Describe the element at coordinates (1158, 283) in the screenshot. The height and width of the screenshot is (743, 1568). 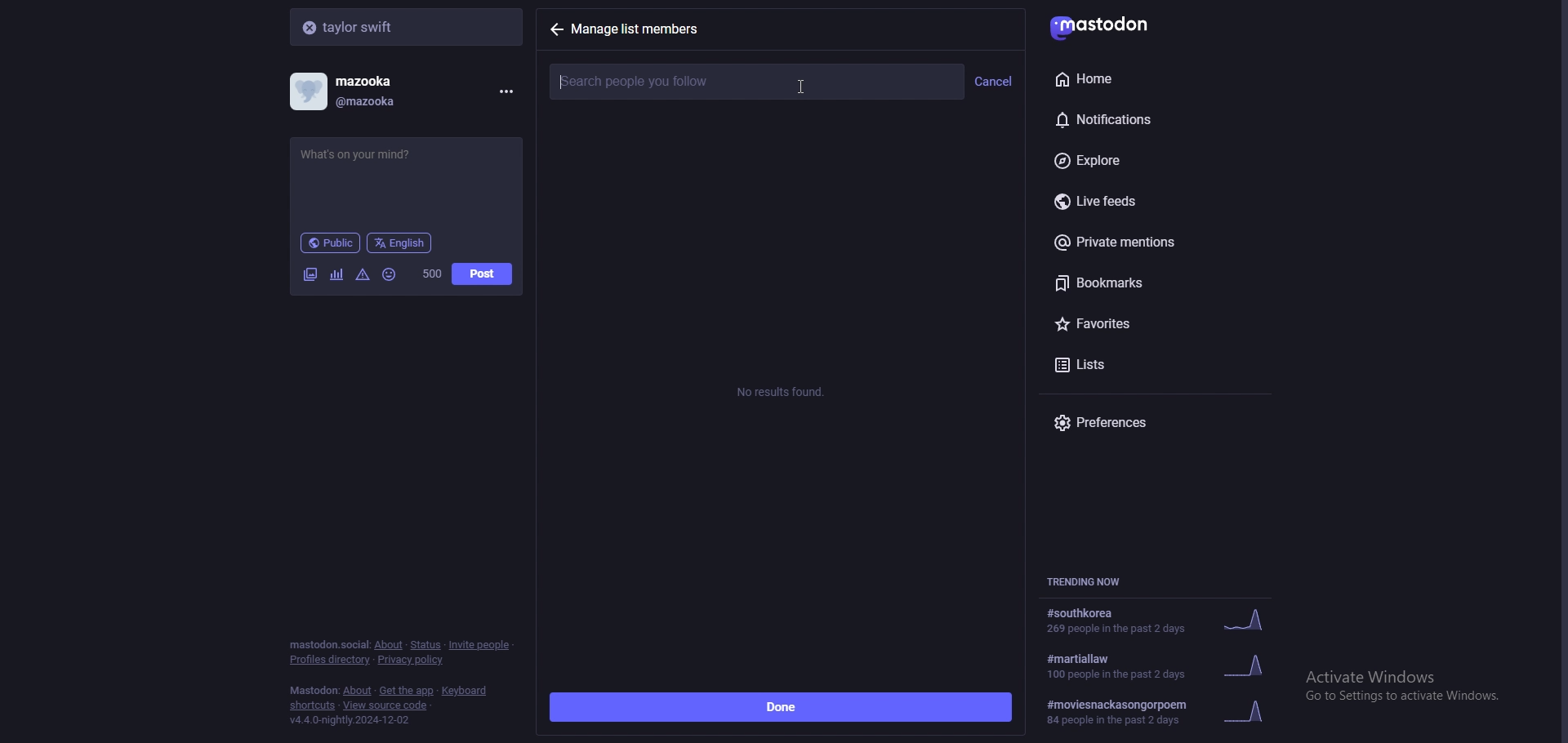
I see `bookmarks` at that location.